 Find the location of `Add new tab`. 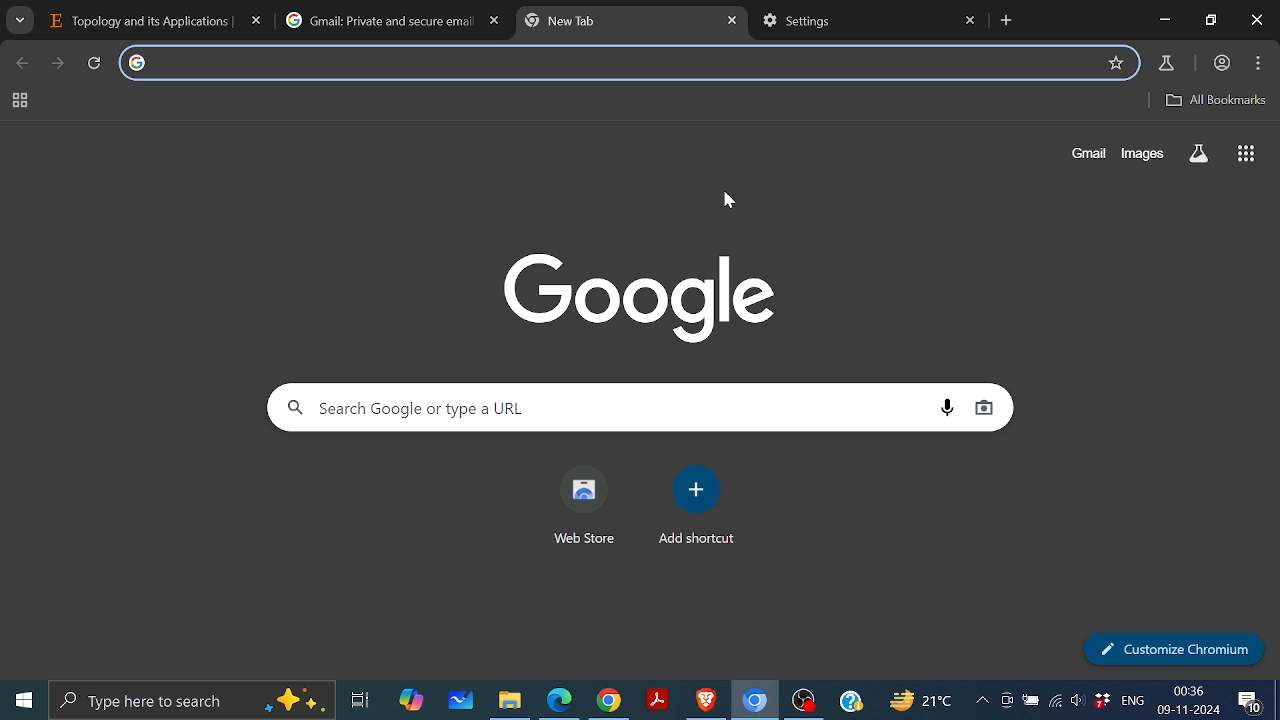

Add new tab is located at coordinates (1007, 20).